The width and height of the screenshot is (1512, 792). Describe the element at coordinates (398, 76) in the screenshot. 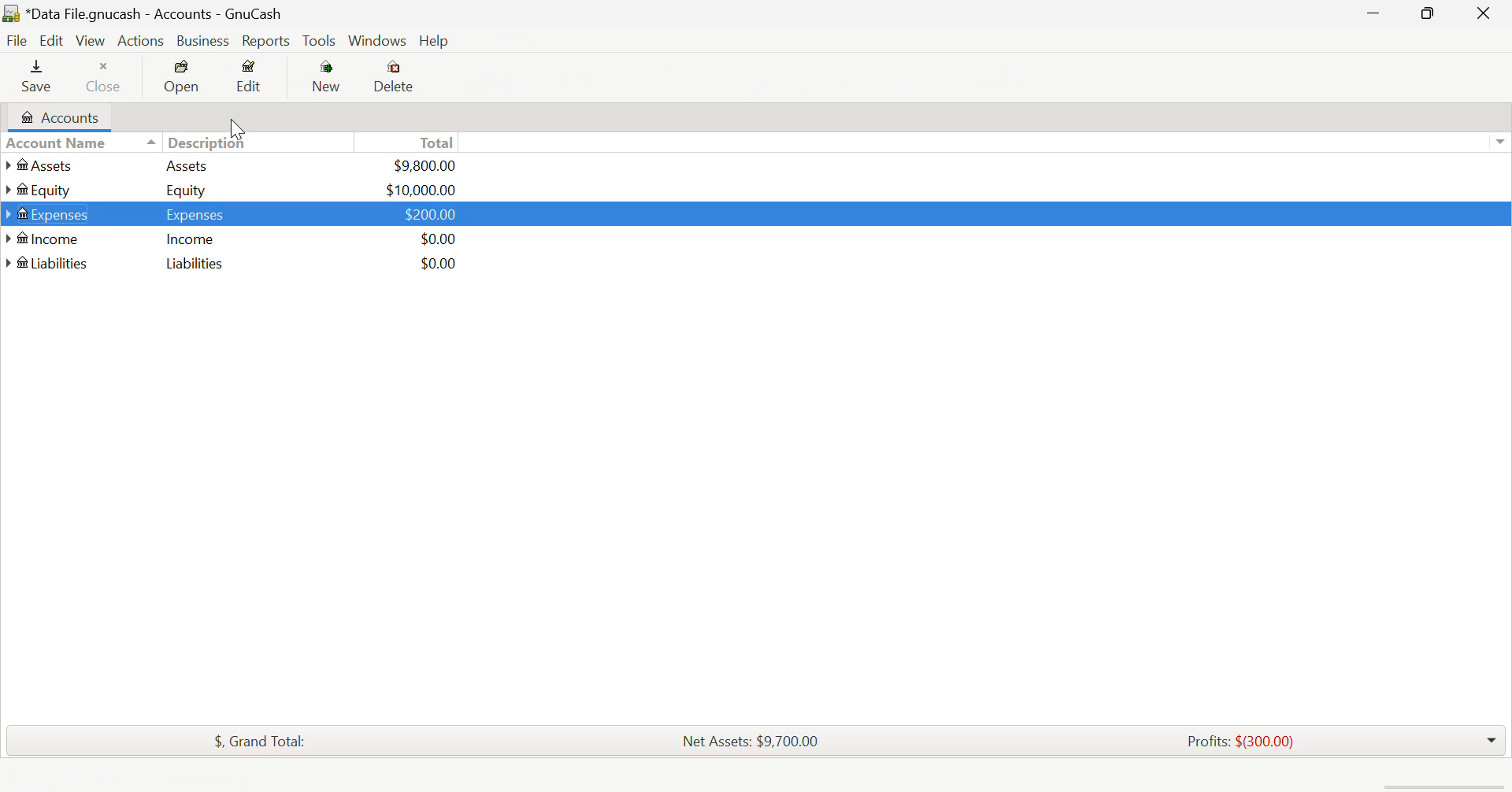

I see `Delete` at that location.